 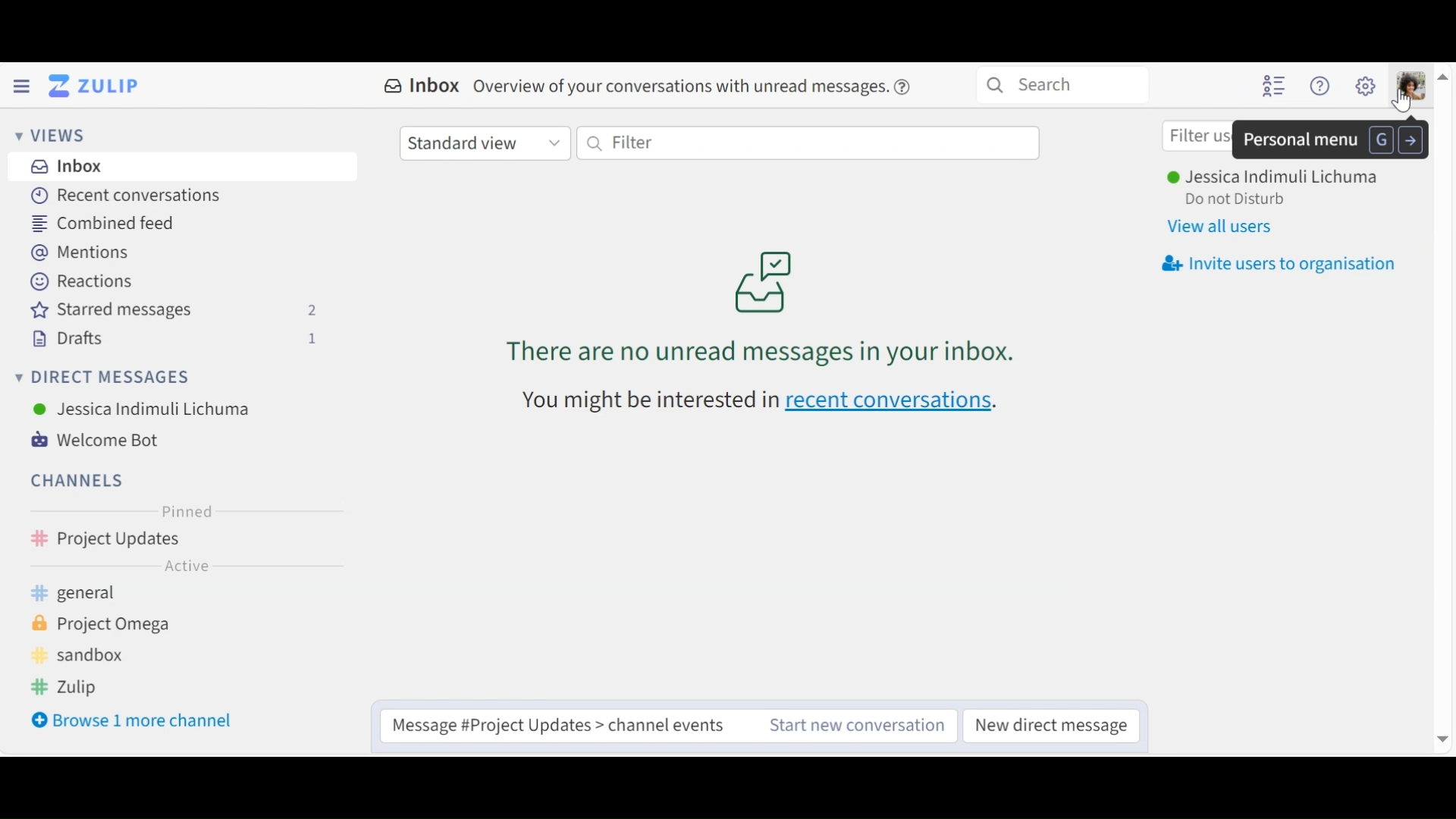 I want to click on Recent Conversations, so click(x=125, y=195).